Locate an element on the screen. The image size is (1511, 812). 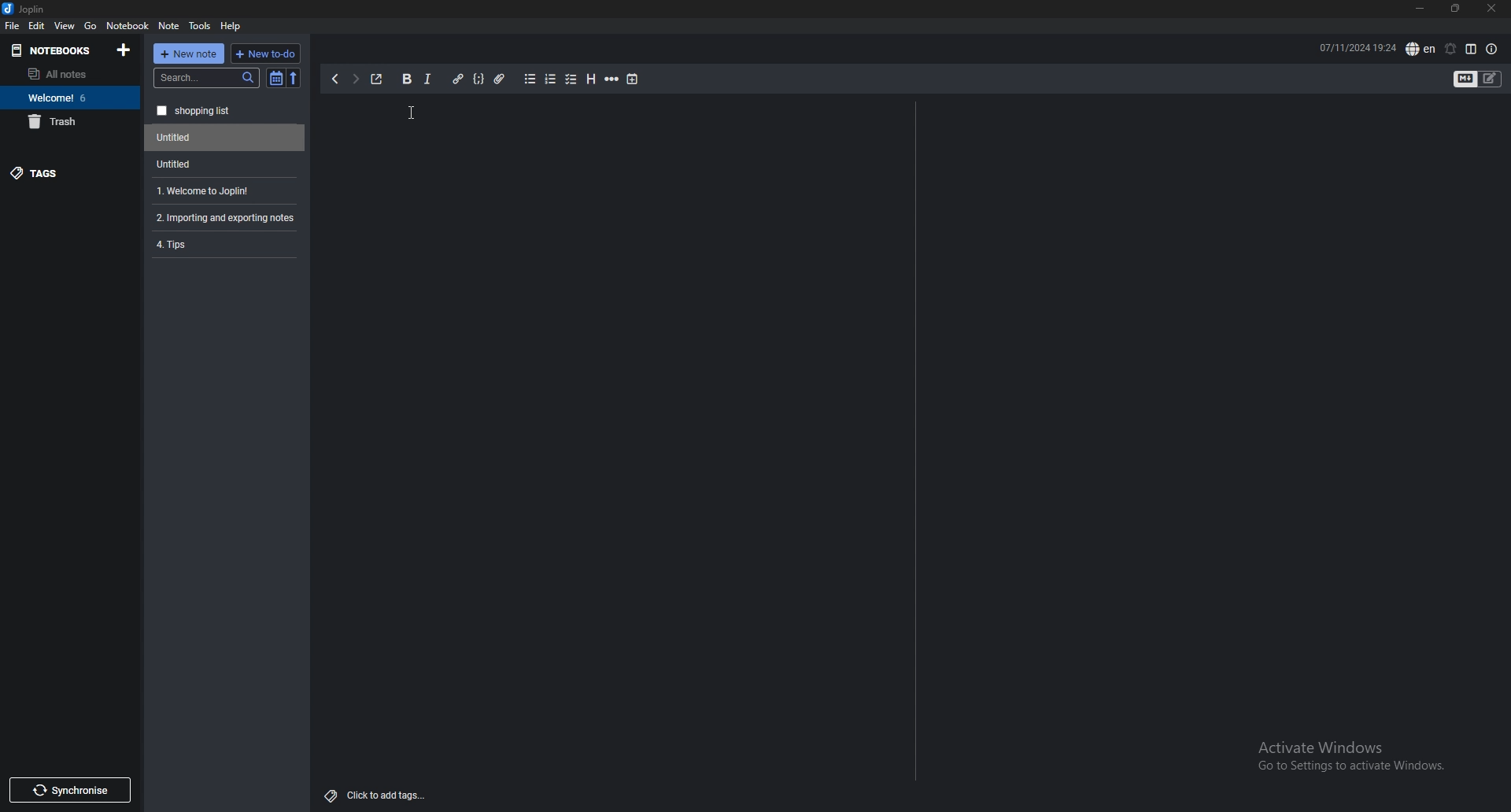
Tips is located at coordinates (224, 243).